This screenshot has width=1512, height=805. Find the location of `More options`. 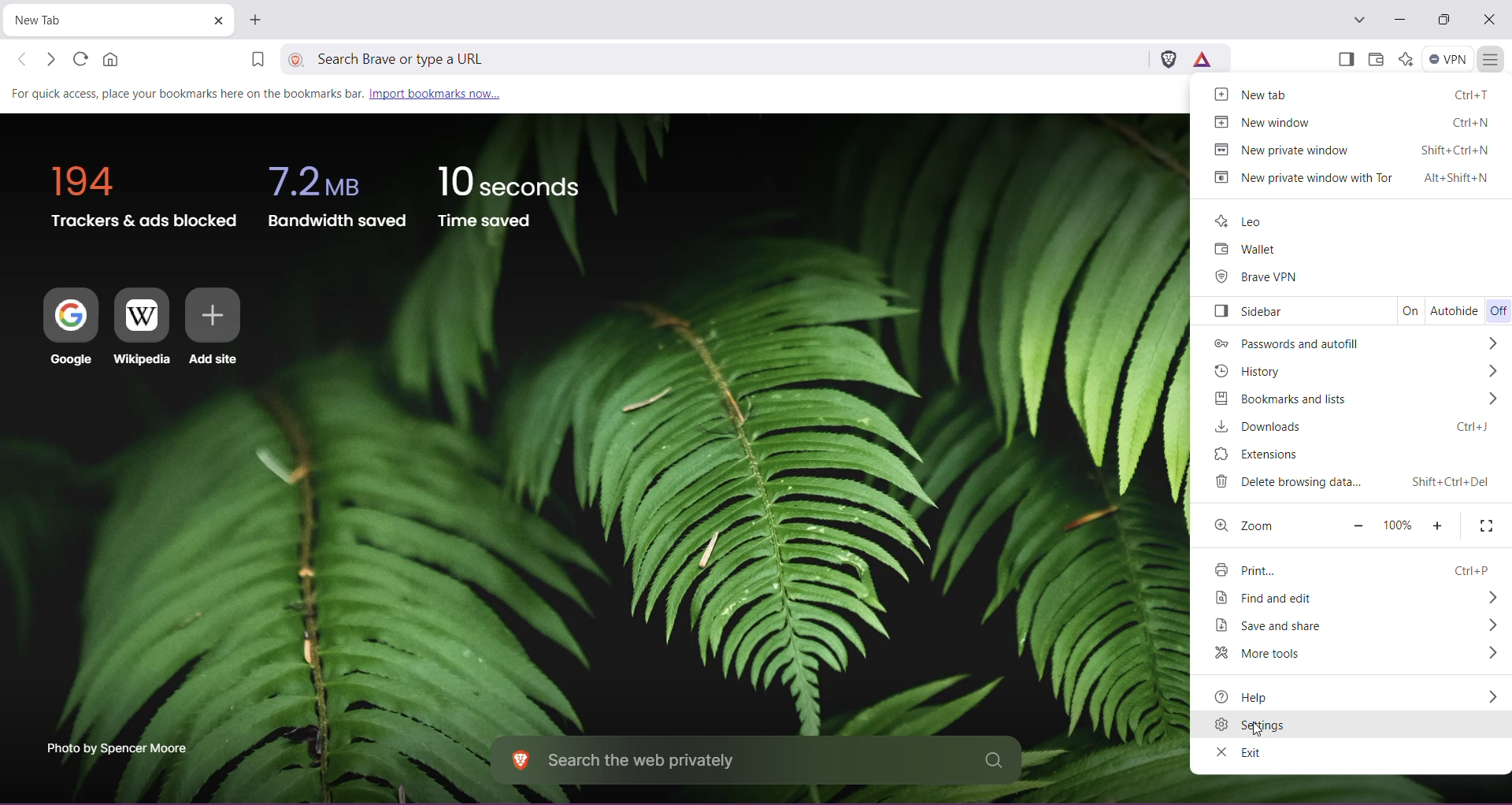

More options is located at coordinates (1488, 597).